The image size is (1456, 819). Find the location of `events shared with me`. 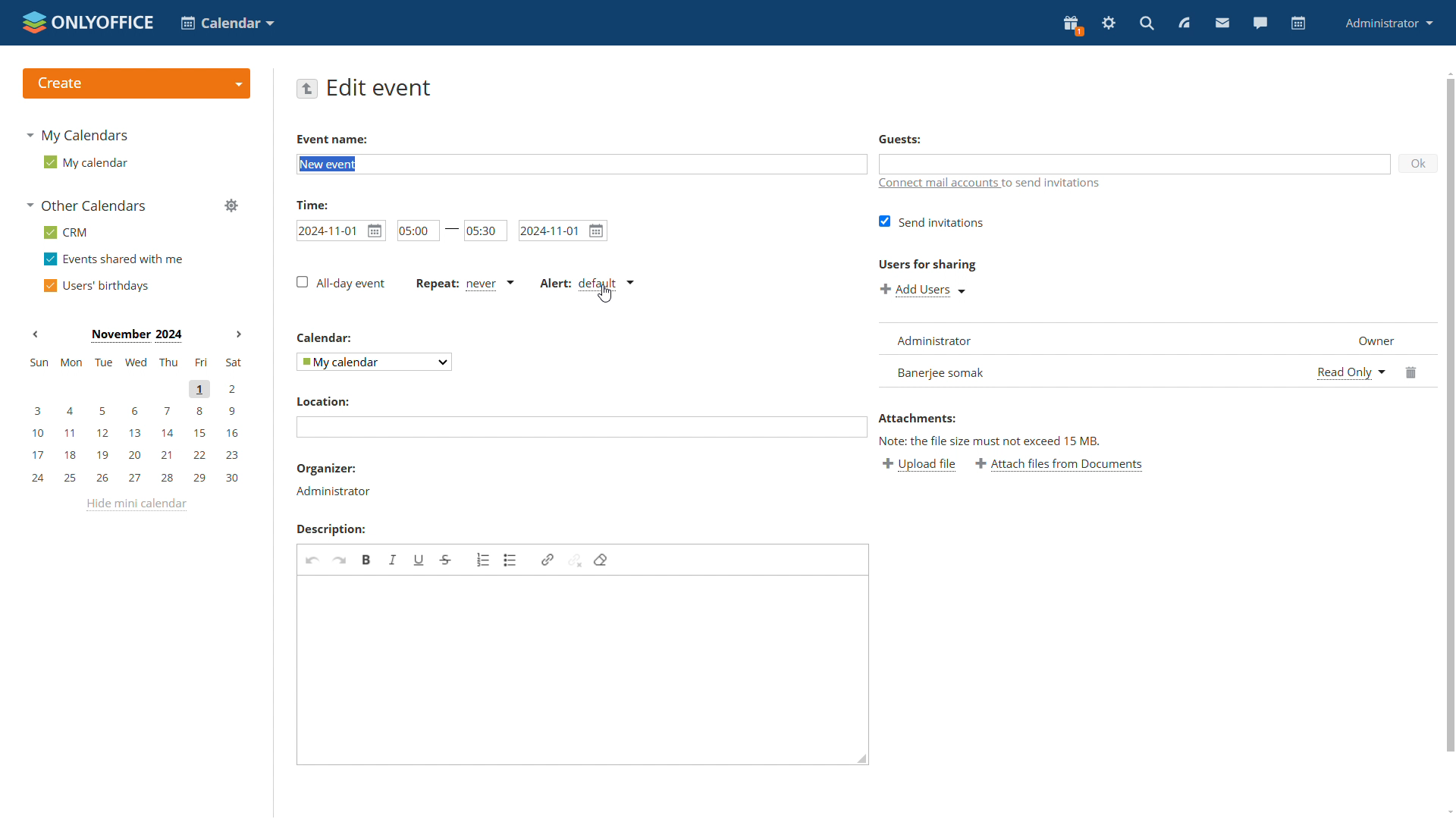

events shared with me is located at coordinates (114, 260).